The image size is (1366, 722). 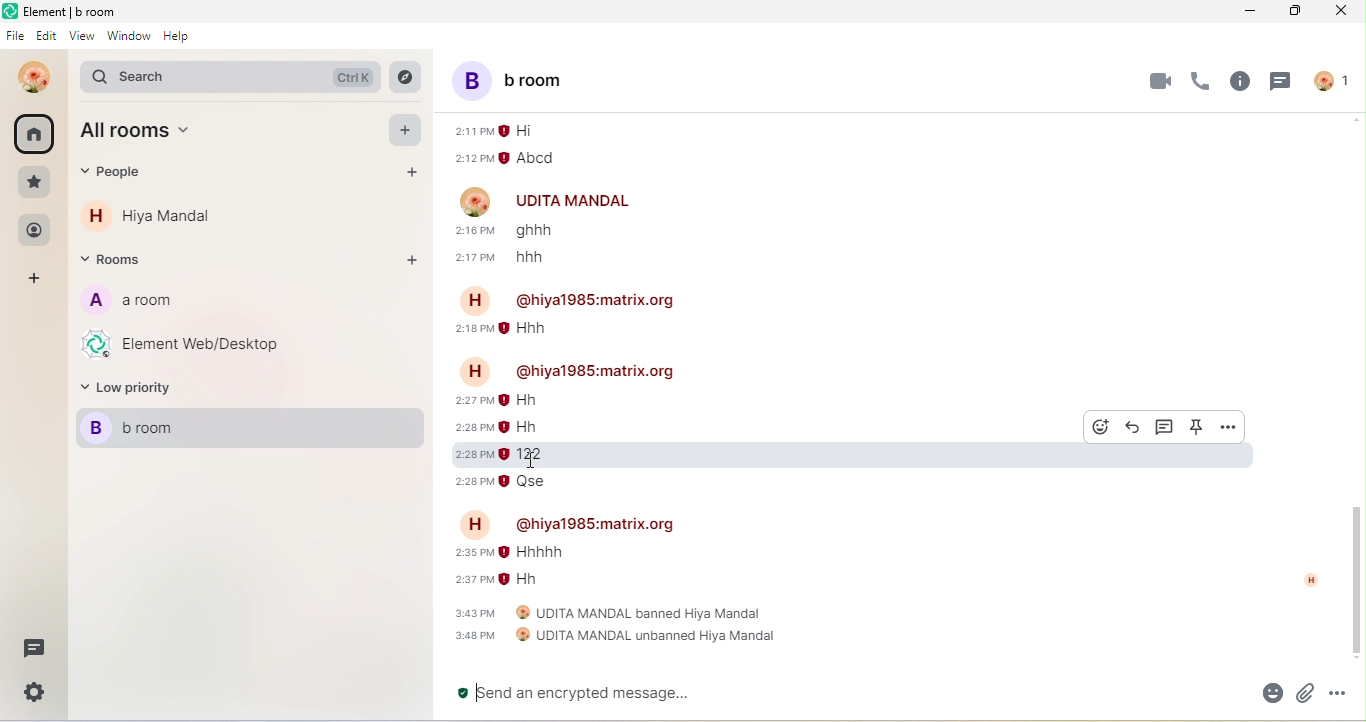 I want to click on thread, so click(x=33, y=649).